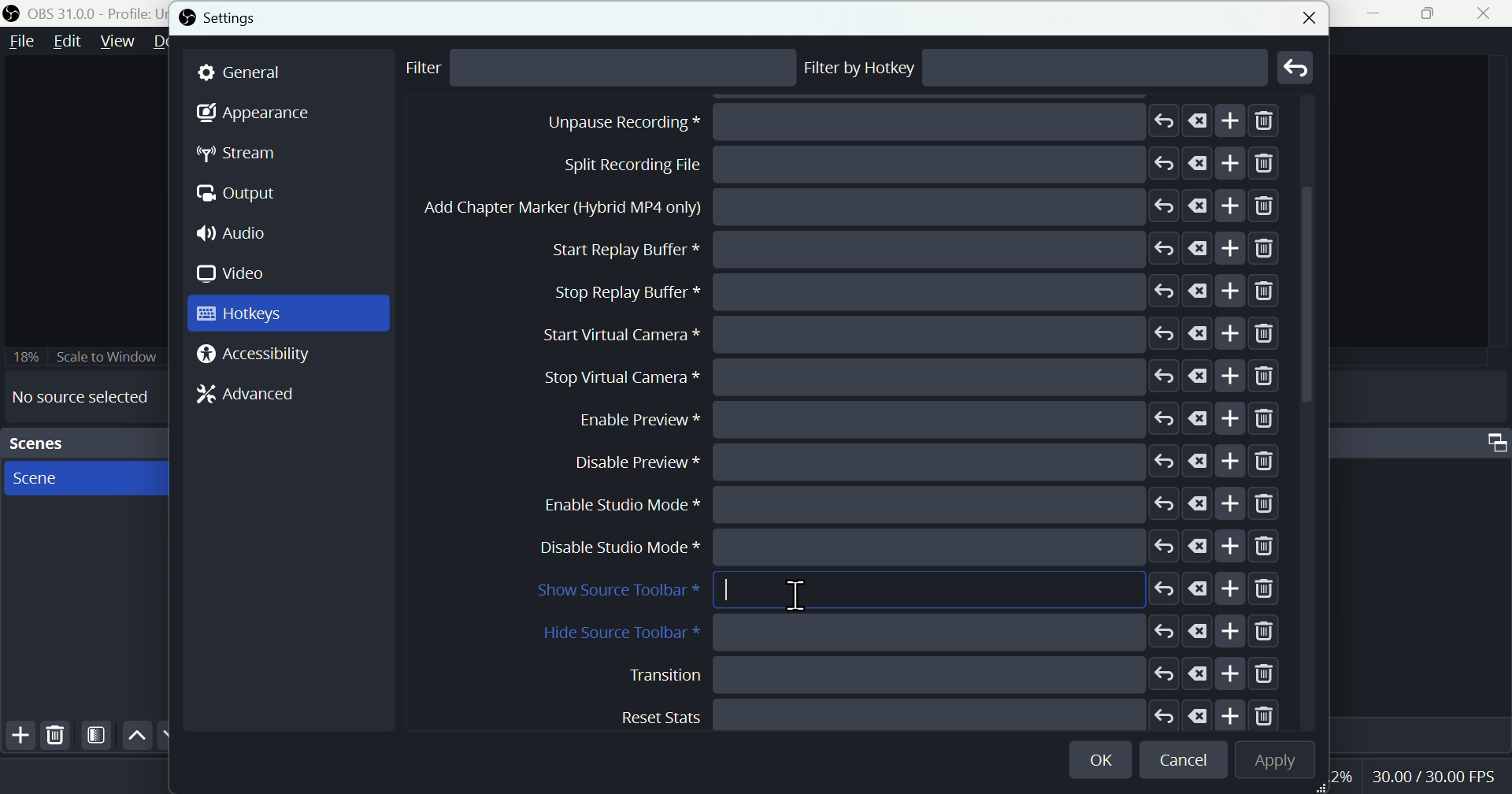 This screenshot has height=794, width=1512. What do you see at coordinates (802, 595) in the screenshot?
I see `Cursor` at bounding box center [802, 595].